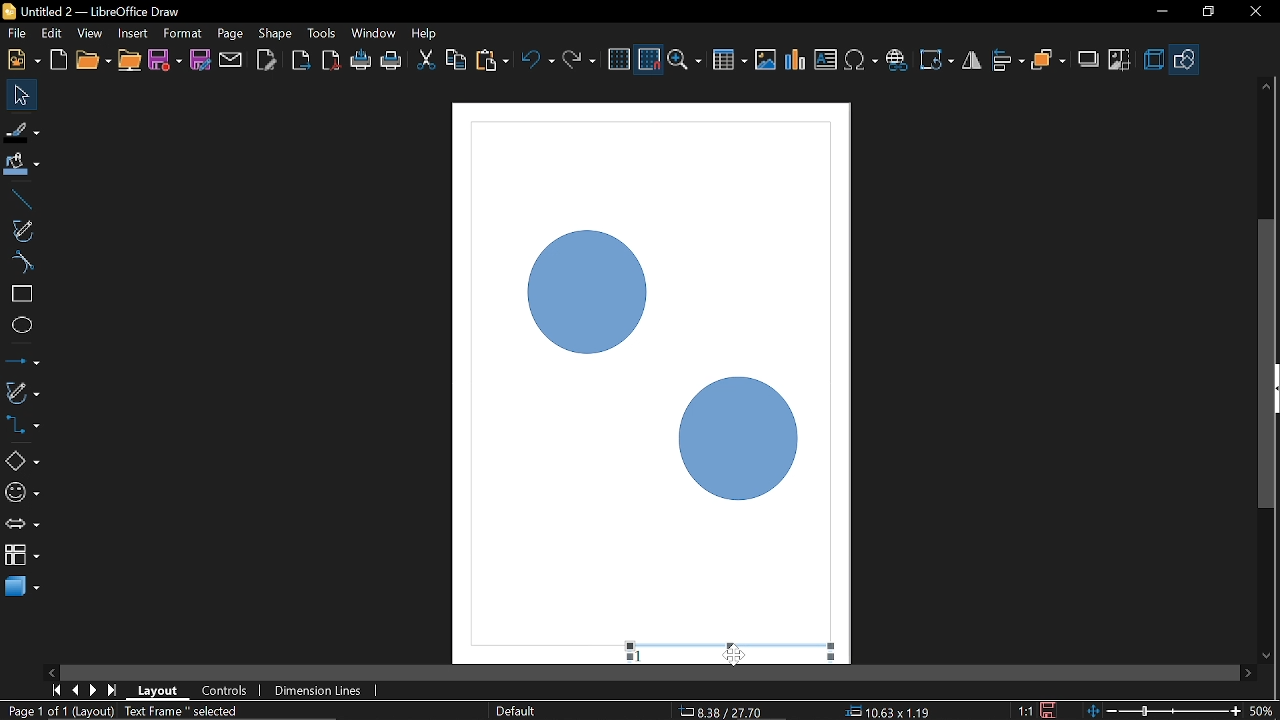 This screenshot has height=720, width=1280. I want to click on print , so click(362, 61).